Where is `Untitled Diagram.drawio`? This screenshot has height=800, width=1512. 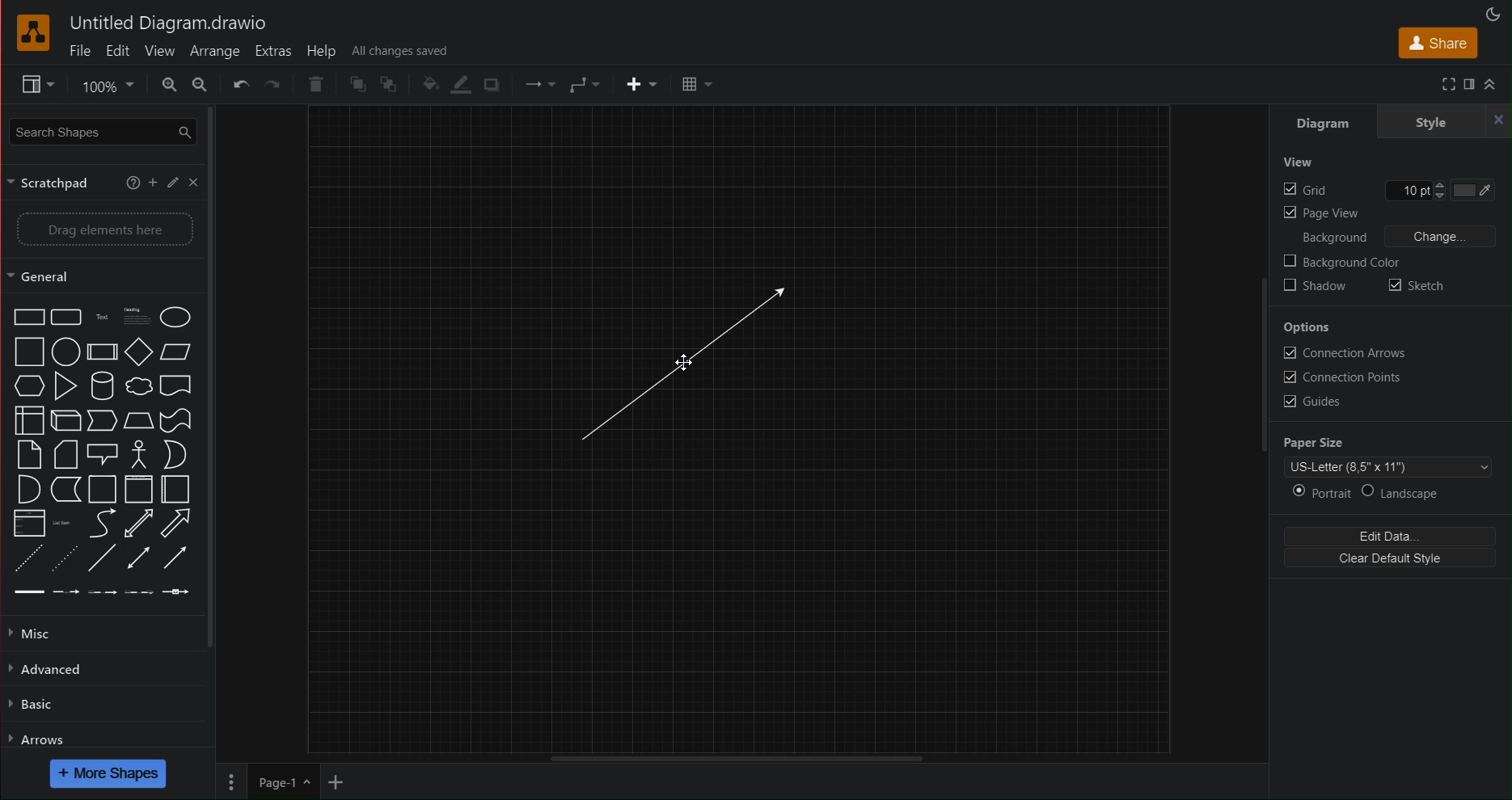
Untitled Diagram.drawio is located at coordinates (168, 24).